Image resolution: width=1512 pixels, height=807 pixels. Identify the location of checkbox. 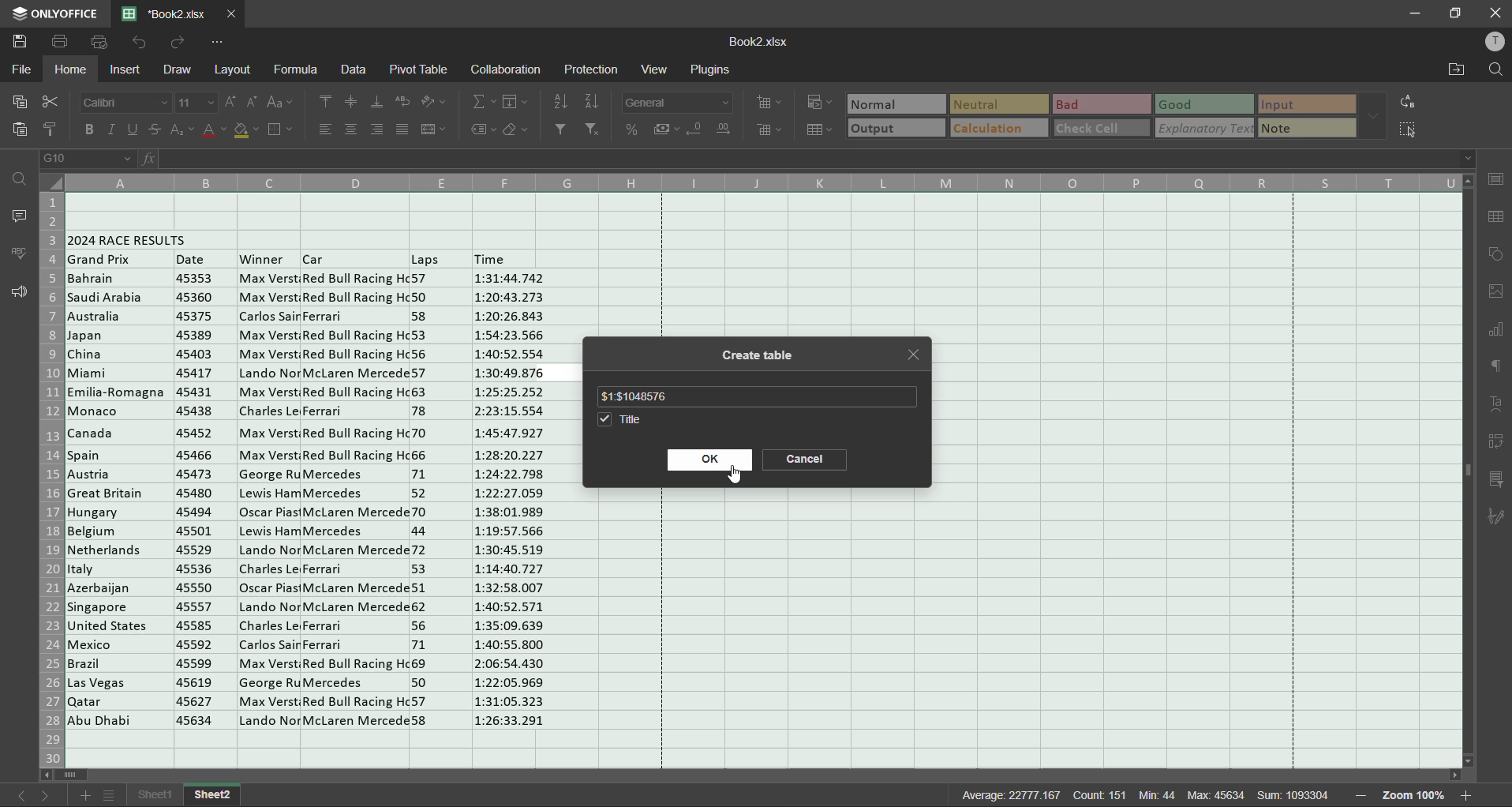
(603, 418).